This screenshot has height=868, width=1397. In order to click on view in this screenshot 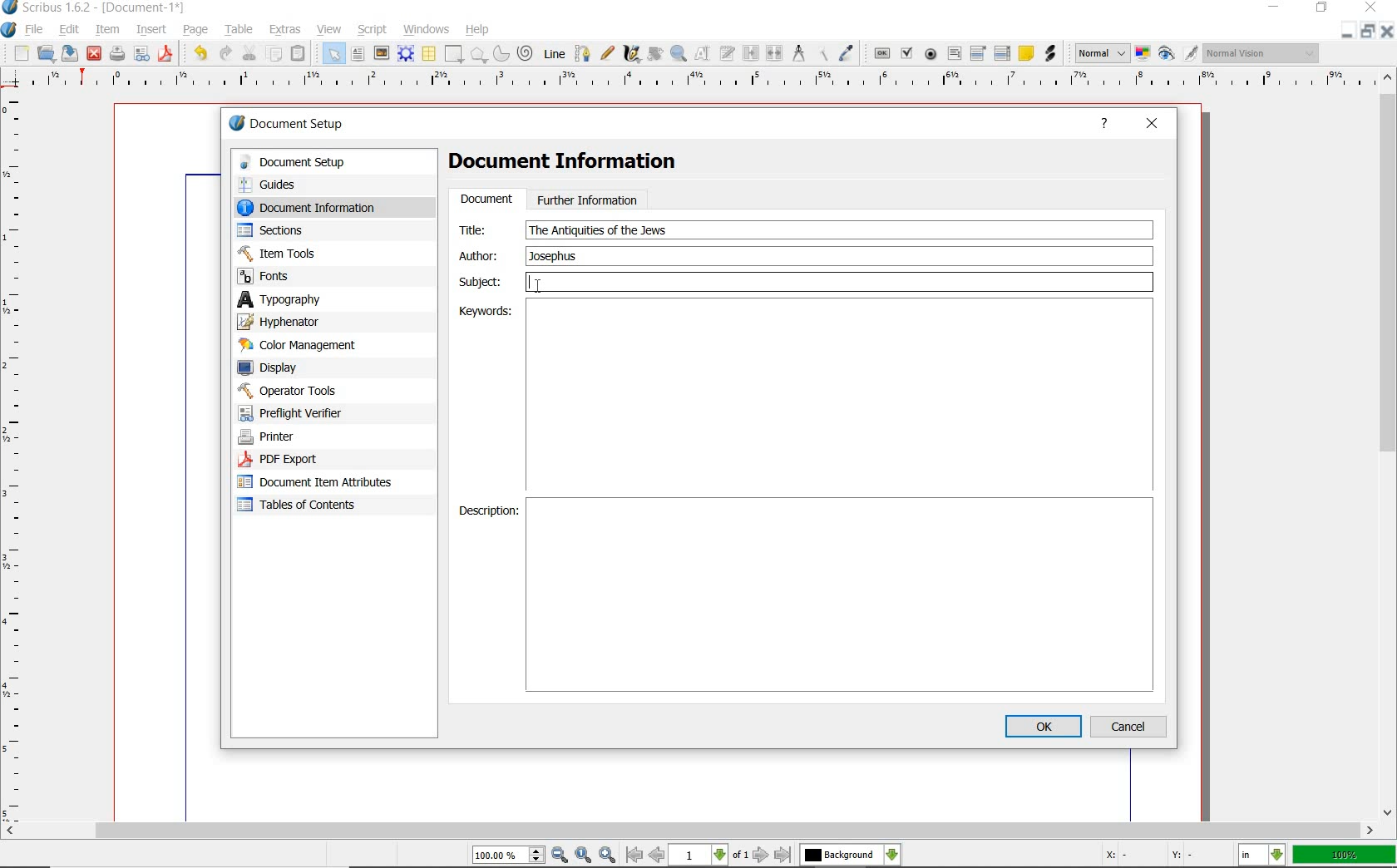, I will do `click(328, 29)`.